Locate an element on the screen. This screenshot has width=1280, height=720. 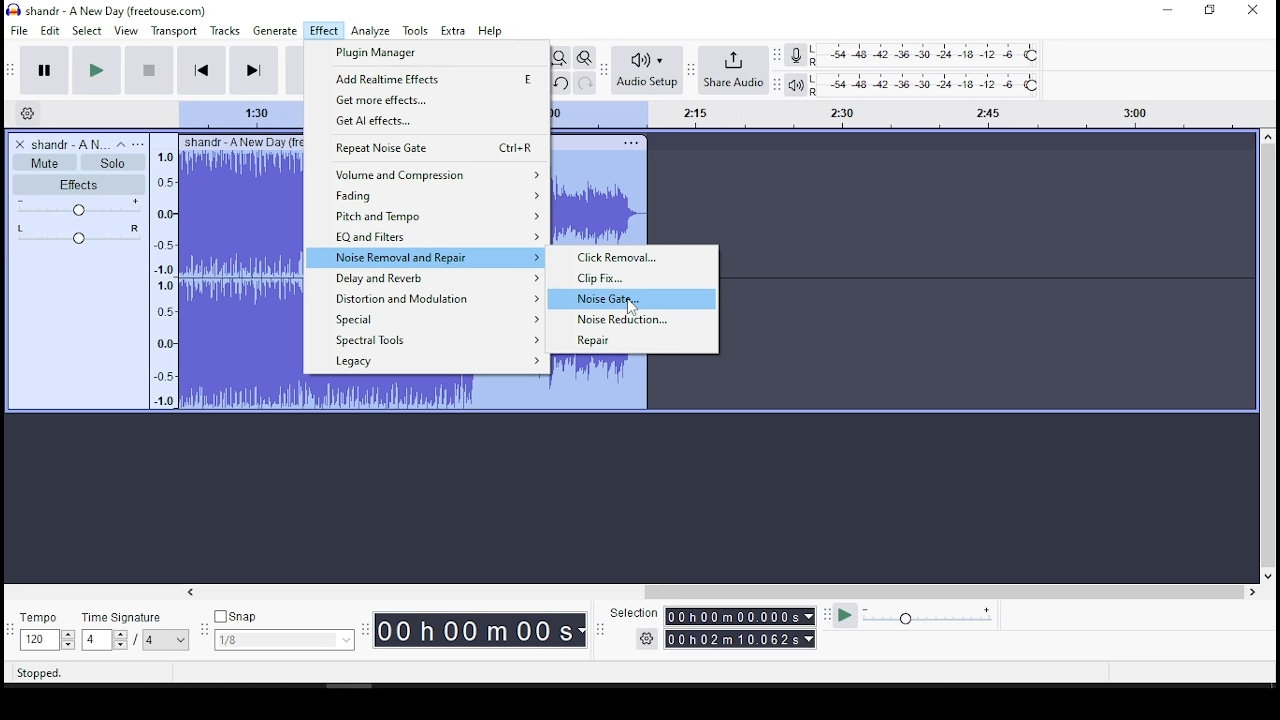
scroll bar is located at coordinates (720, 590).